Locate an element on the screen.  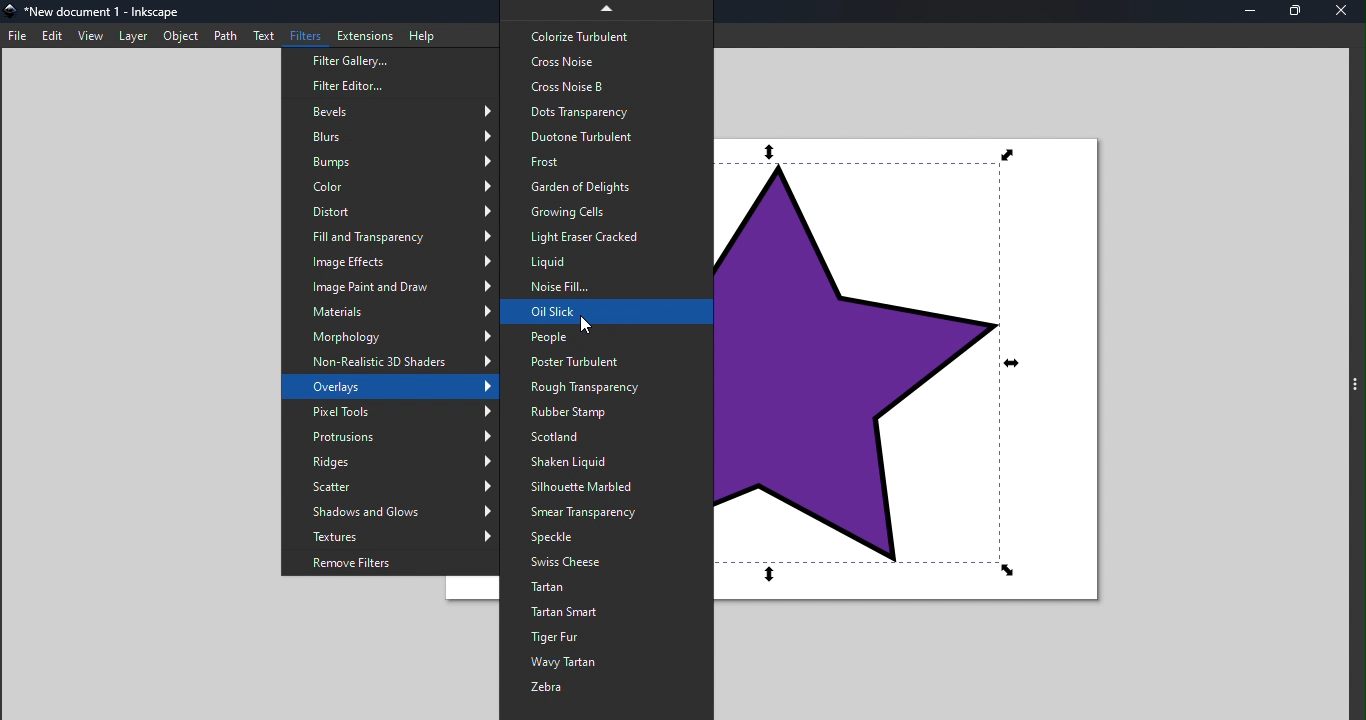
Shadows and glows is located at coordinates (392, 512).